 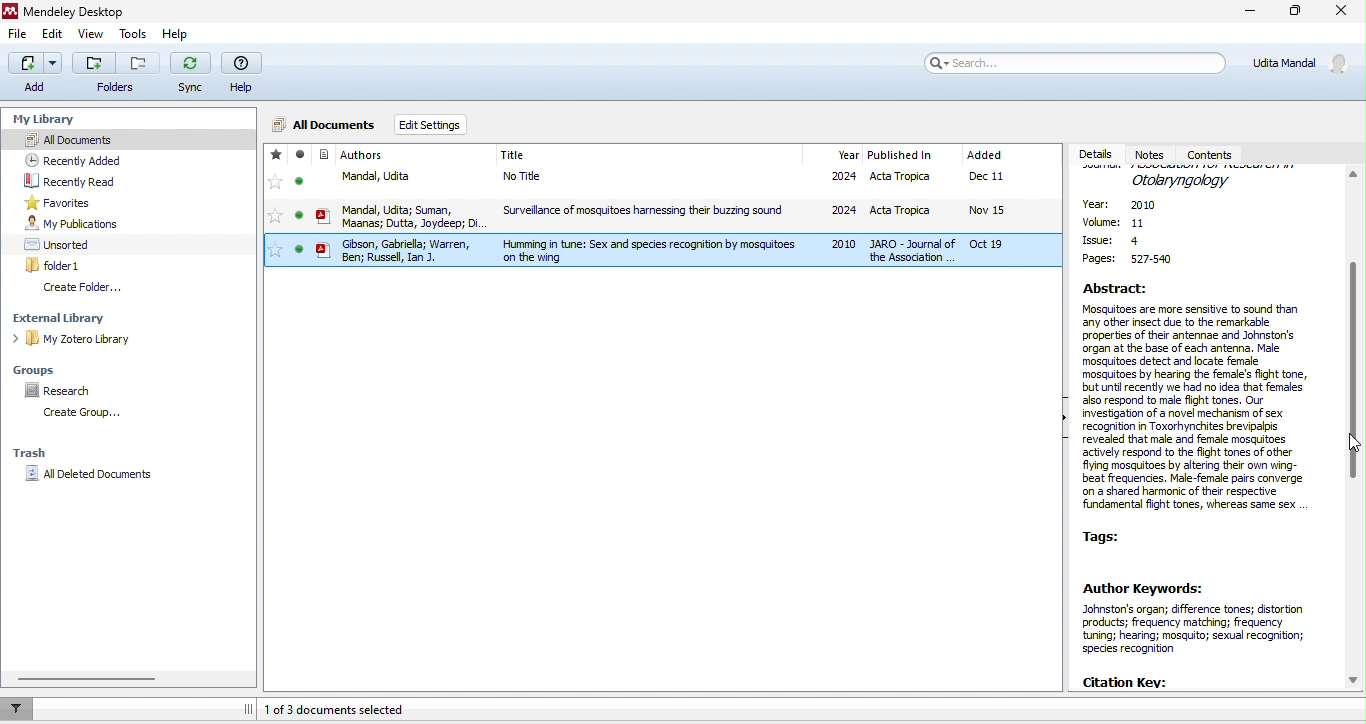 I want to click on help, so click(x=245, y=74).